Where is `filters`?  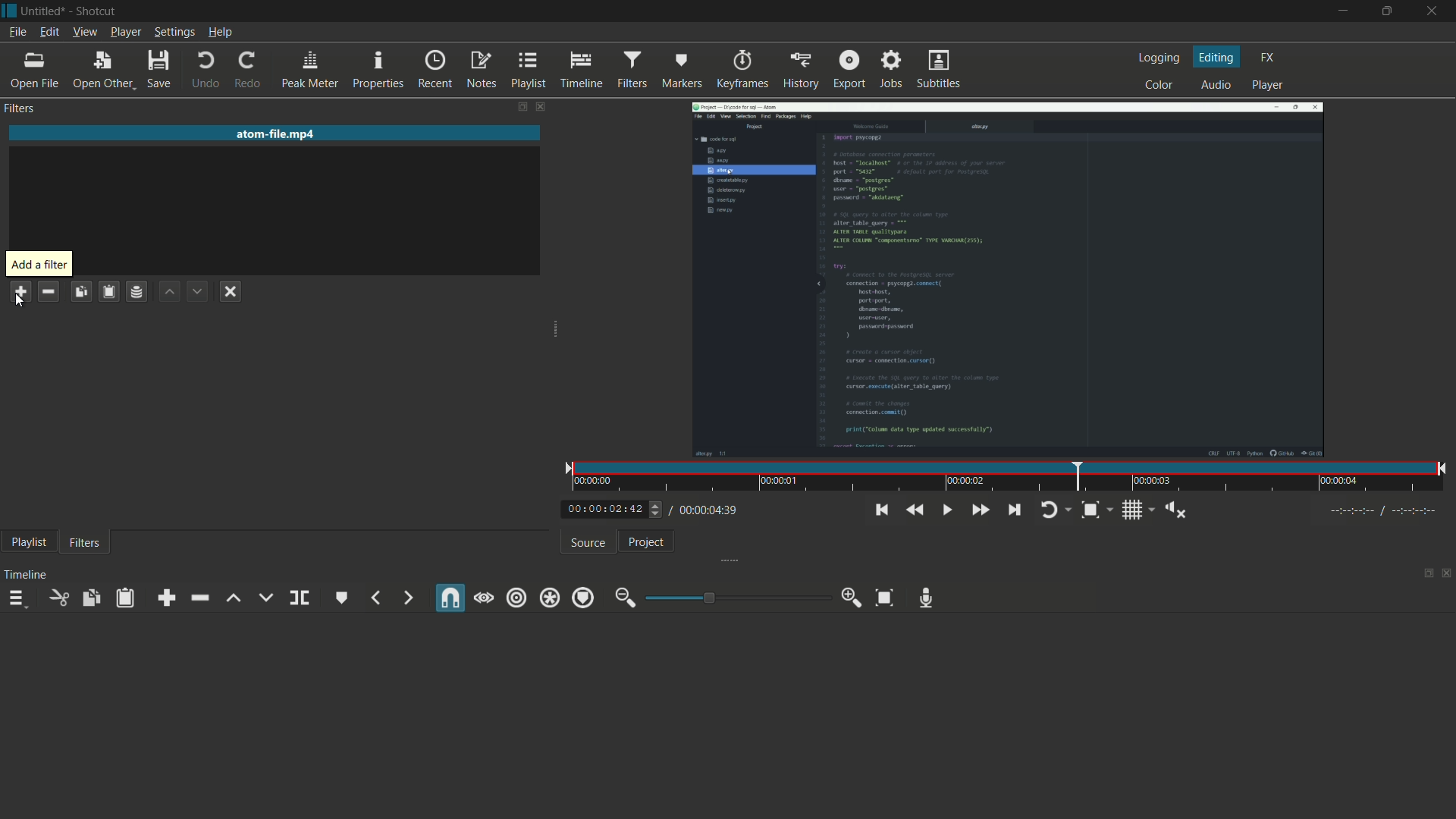 filters is located at coordinates (632, 68).